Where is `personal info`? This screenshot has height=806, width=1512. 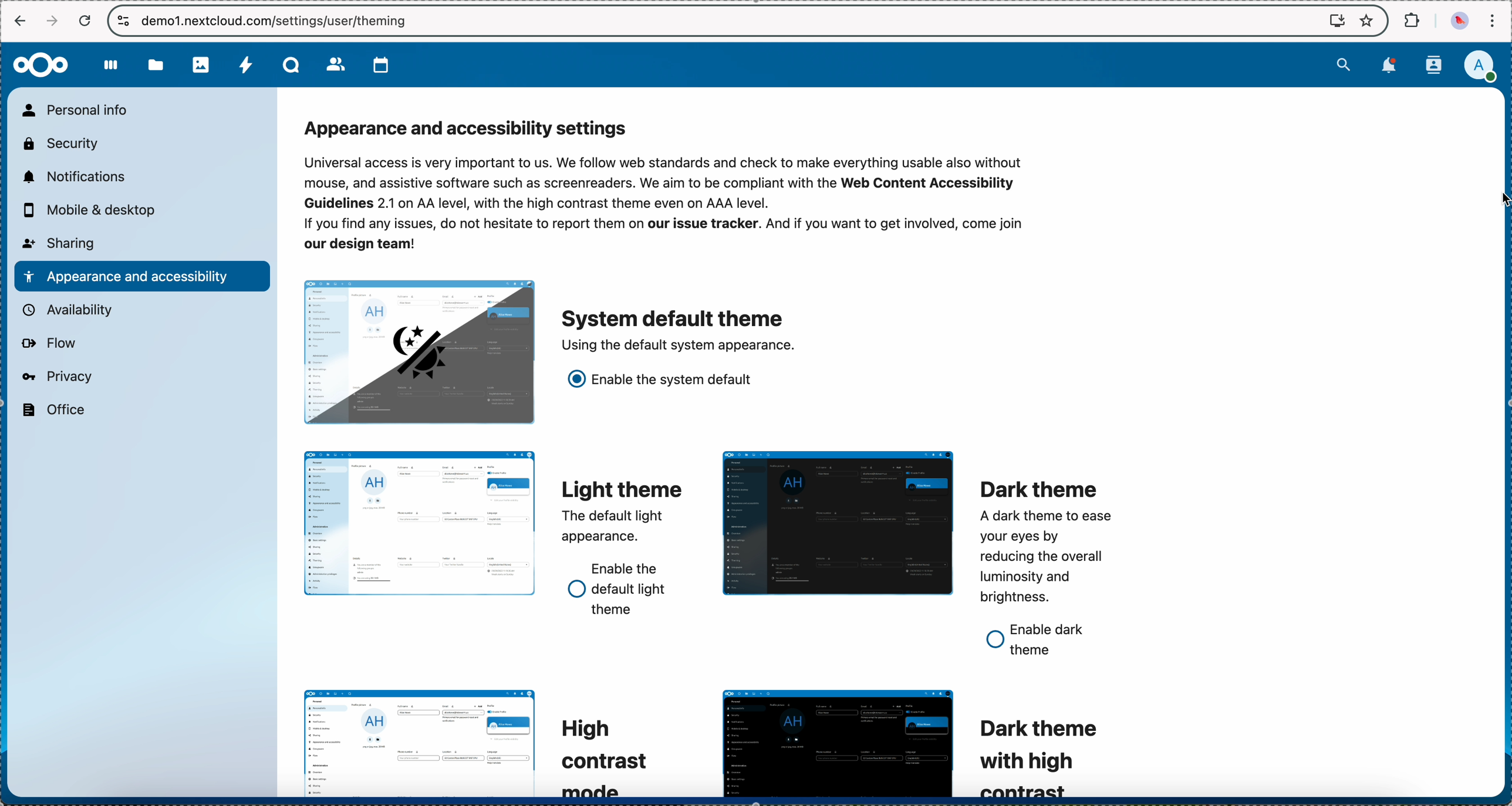
personal info is located at coordinates (80, 110).